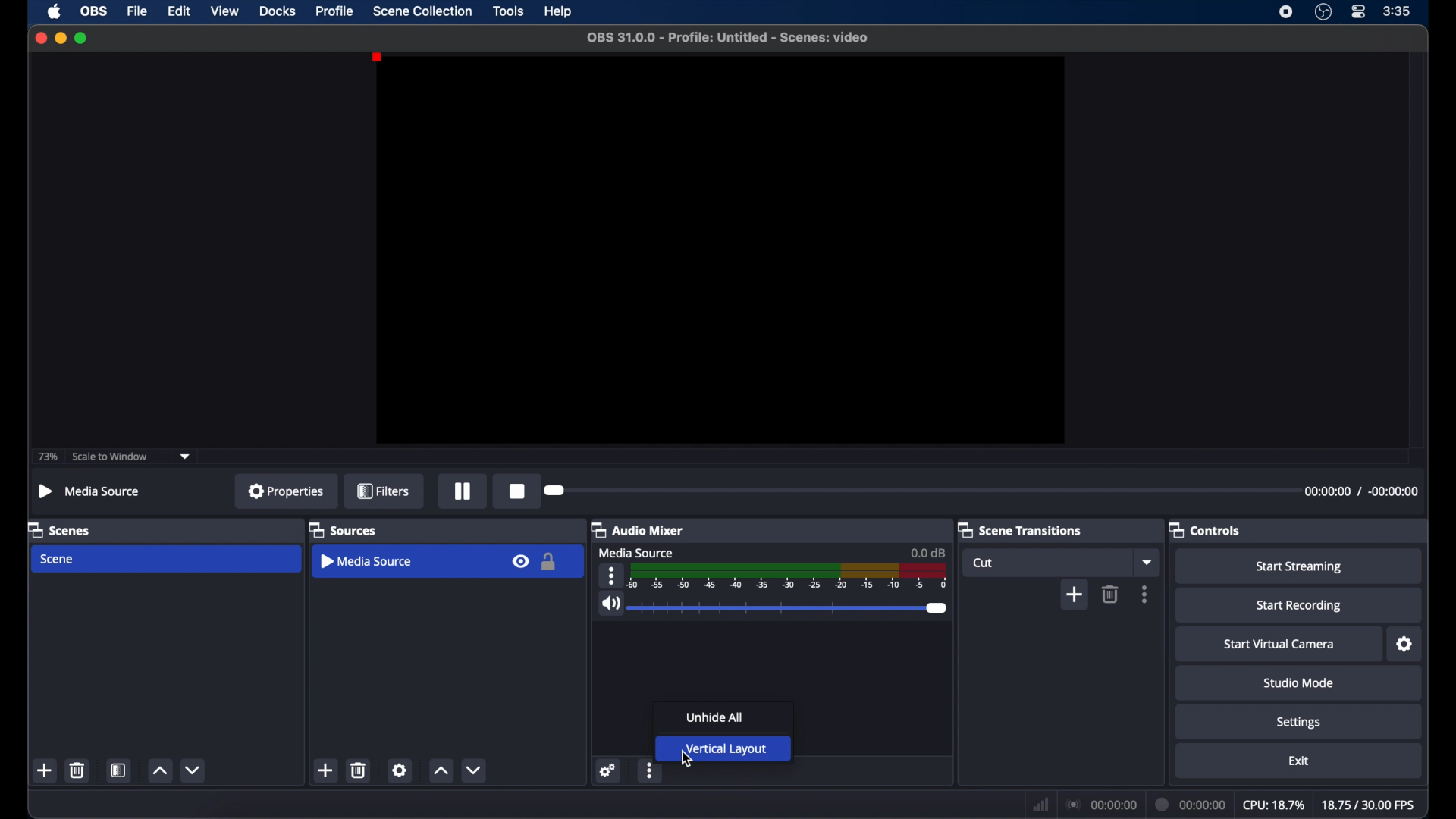 This screenshot has width=1456, height=819. Describe the element at coordinates (927, 551) in the screenshot. I see `0.0` at that location.